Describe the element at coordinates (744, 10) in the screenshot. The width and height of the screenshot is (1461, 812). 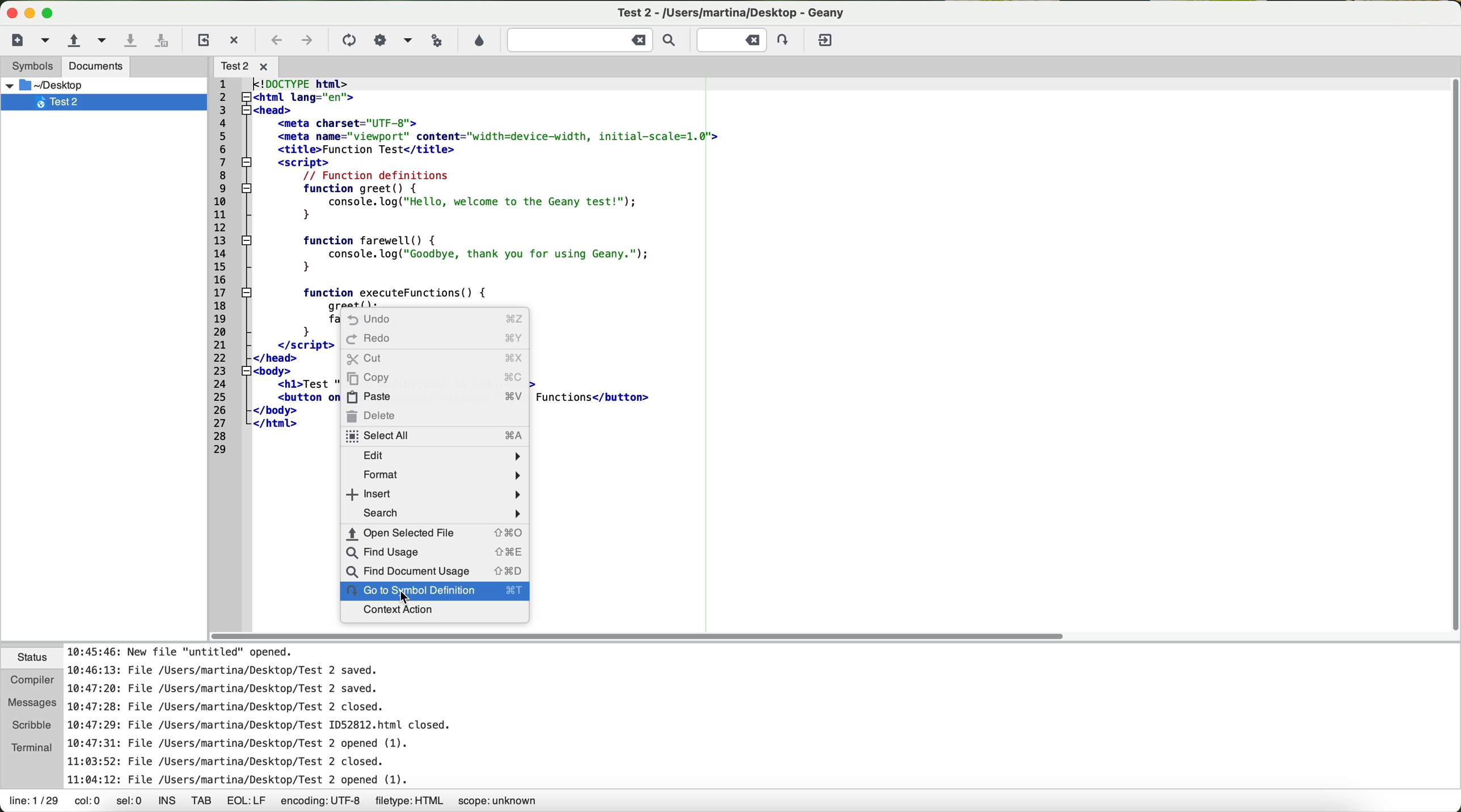
I see `test 2` at that location.